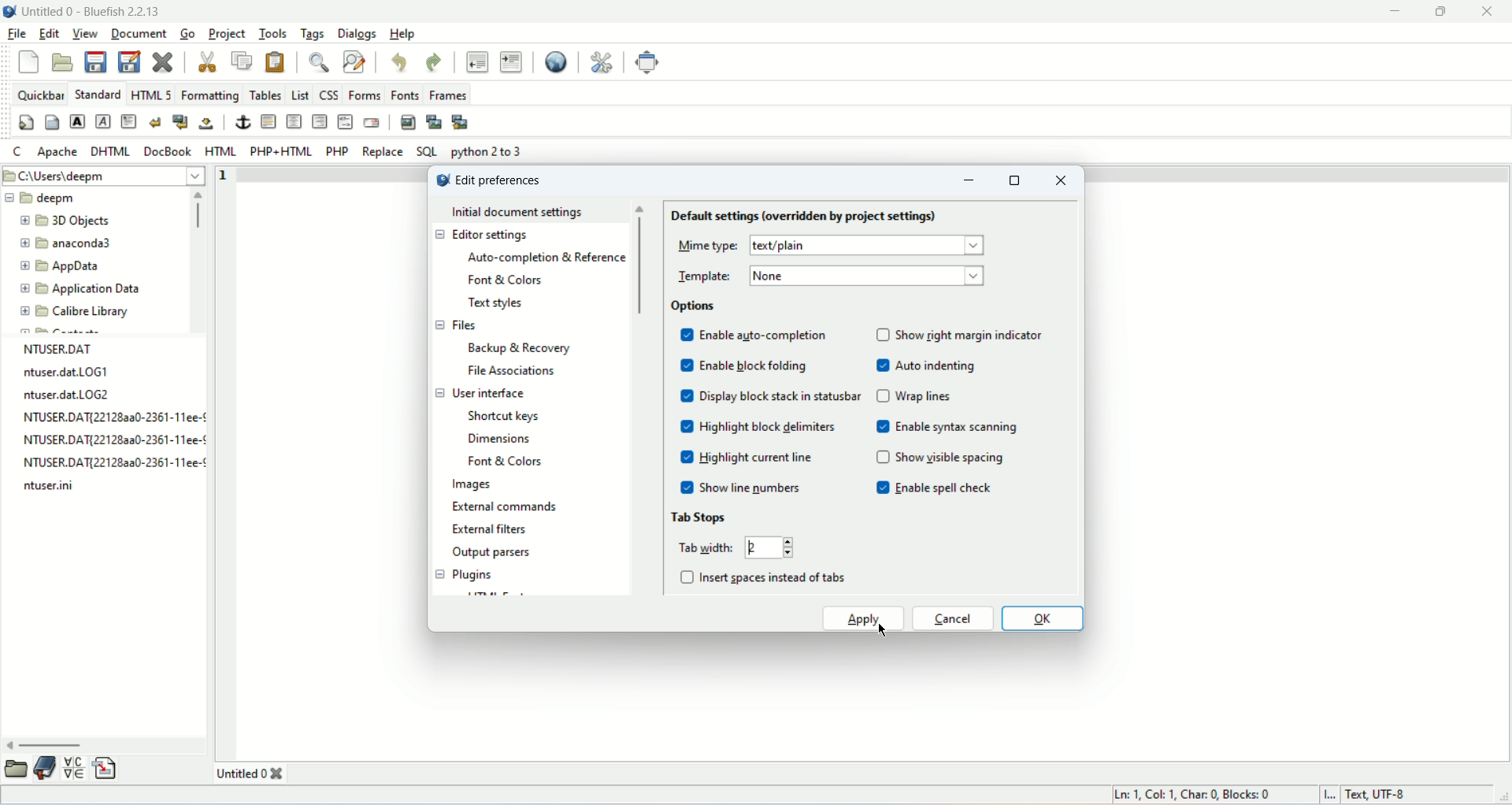 The image size is (1512, 805). Describe the element at coordinates (17, 152) in the screenshot. I see `C` at that location.